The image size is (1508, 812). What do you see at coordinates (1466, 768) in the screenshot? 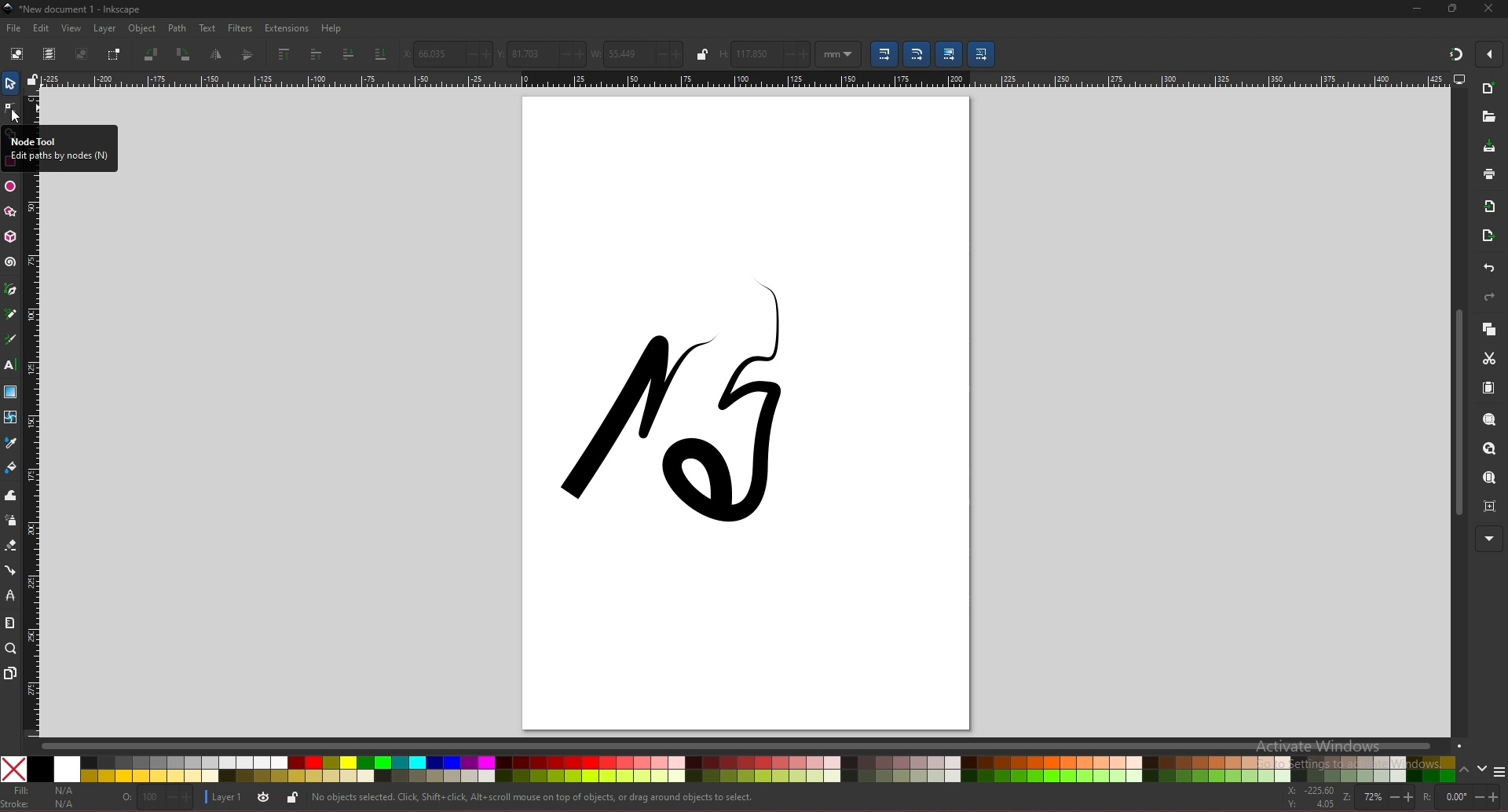
I see `up` at bounding box center [1466, 768].